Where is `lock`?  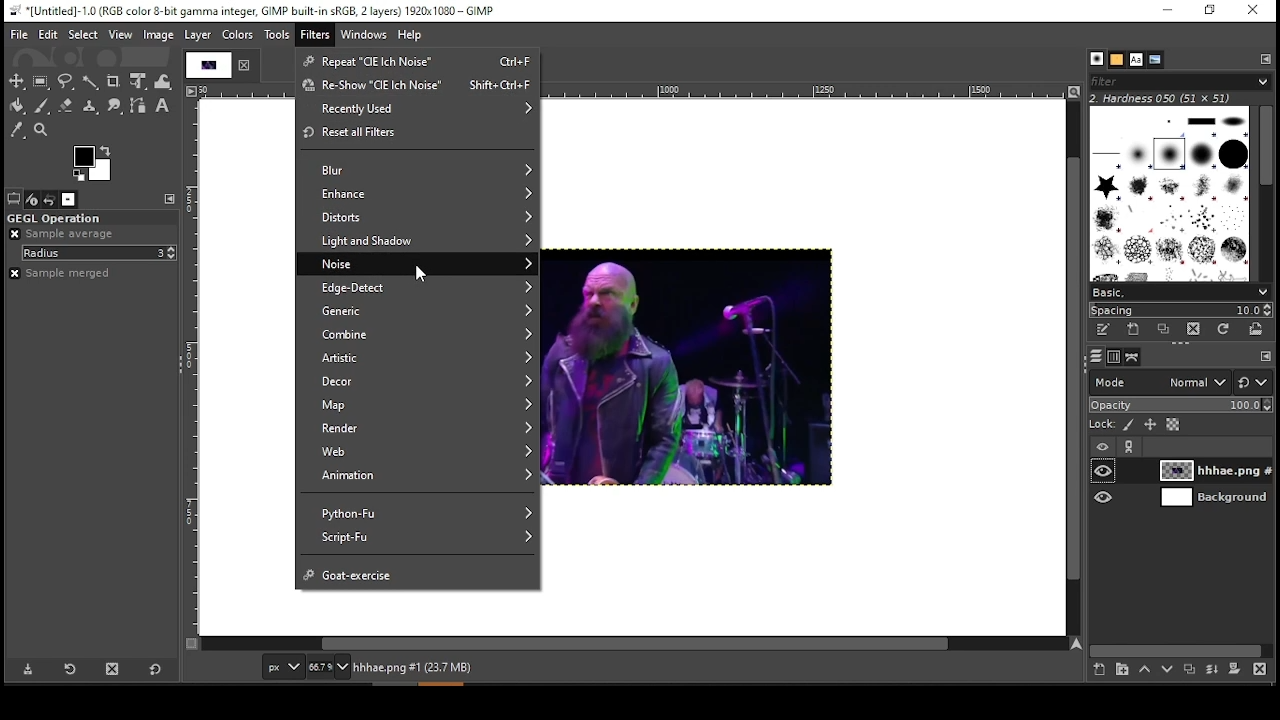 lock is located at coordinates (1100, 425).